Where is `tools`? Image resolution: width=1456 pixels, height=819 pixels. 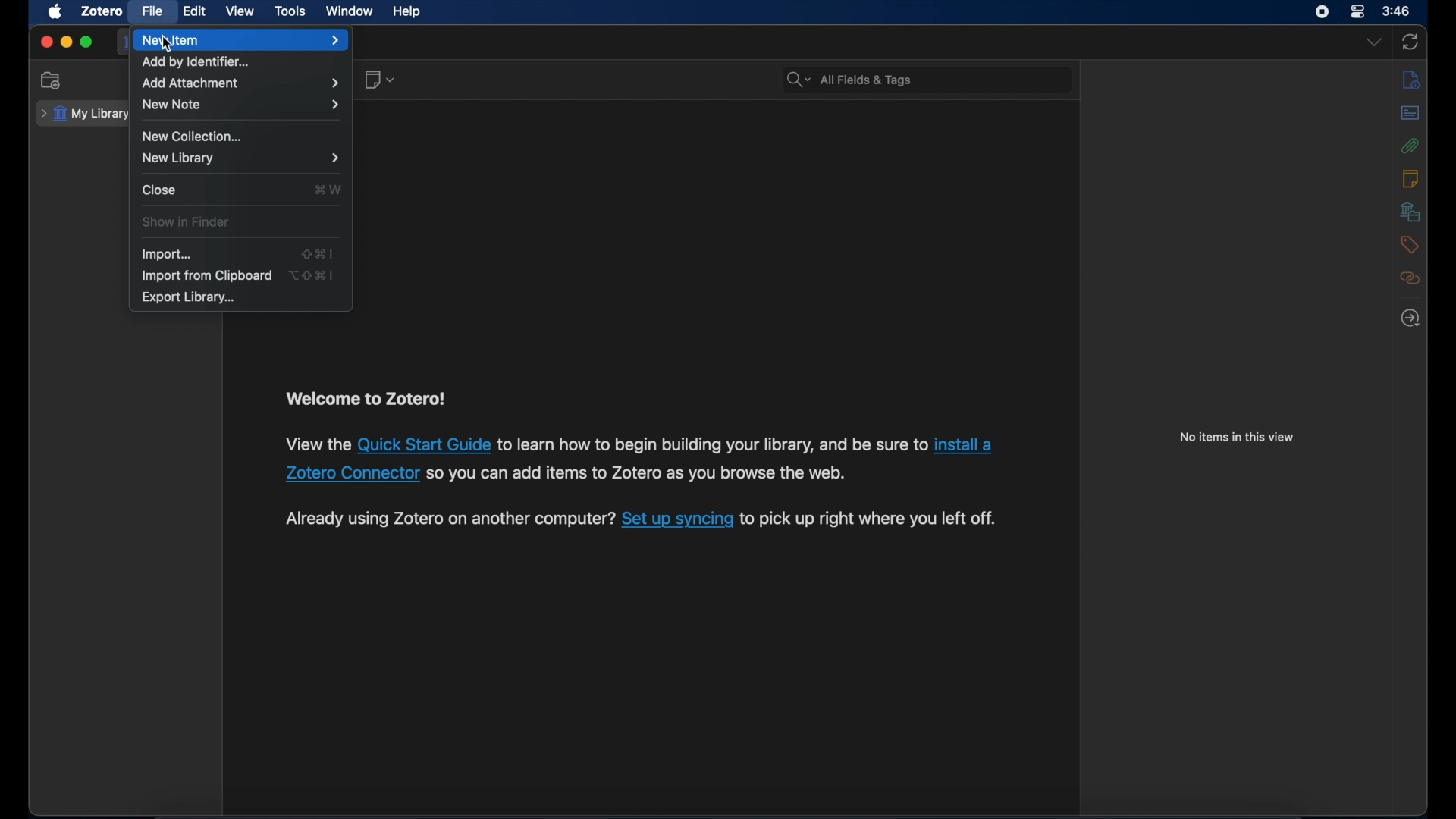
tools is located at coordinates (290, 11).